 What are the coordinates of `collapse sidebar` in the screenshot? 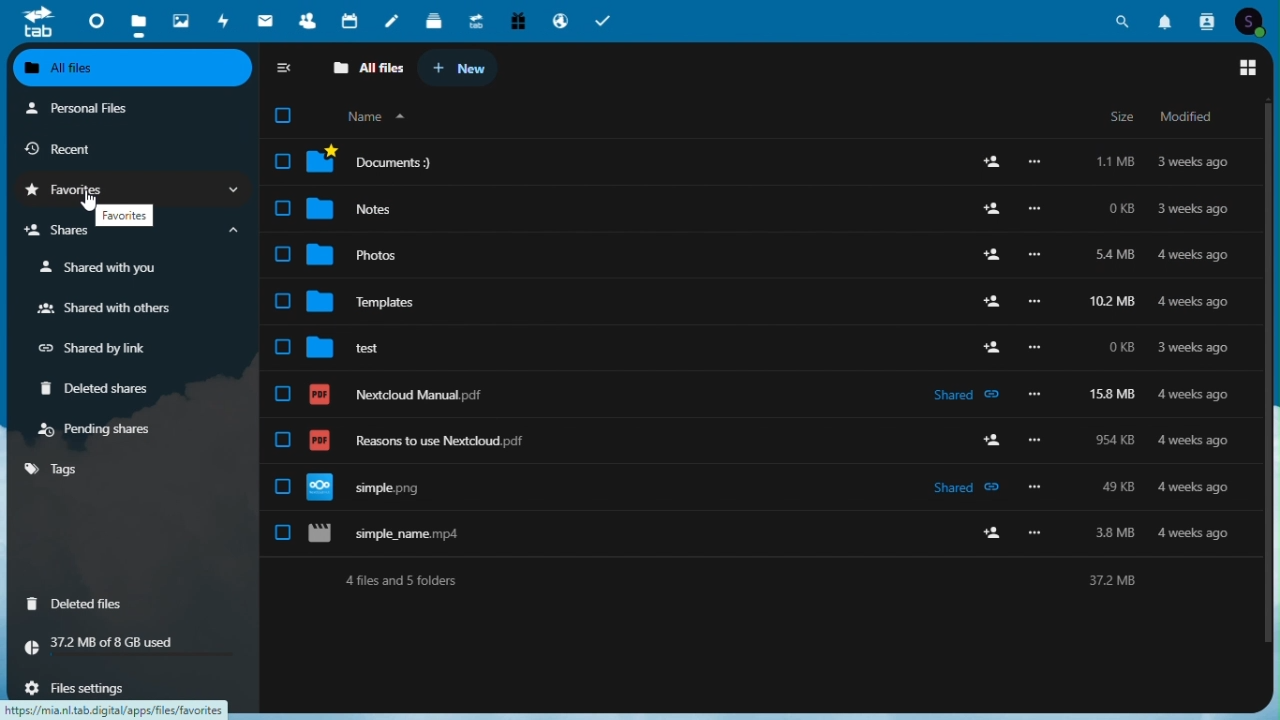 It's located at (283, 67).